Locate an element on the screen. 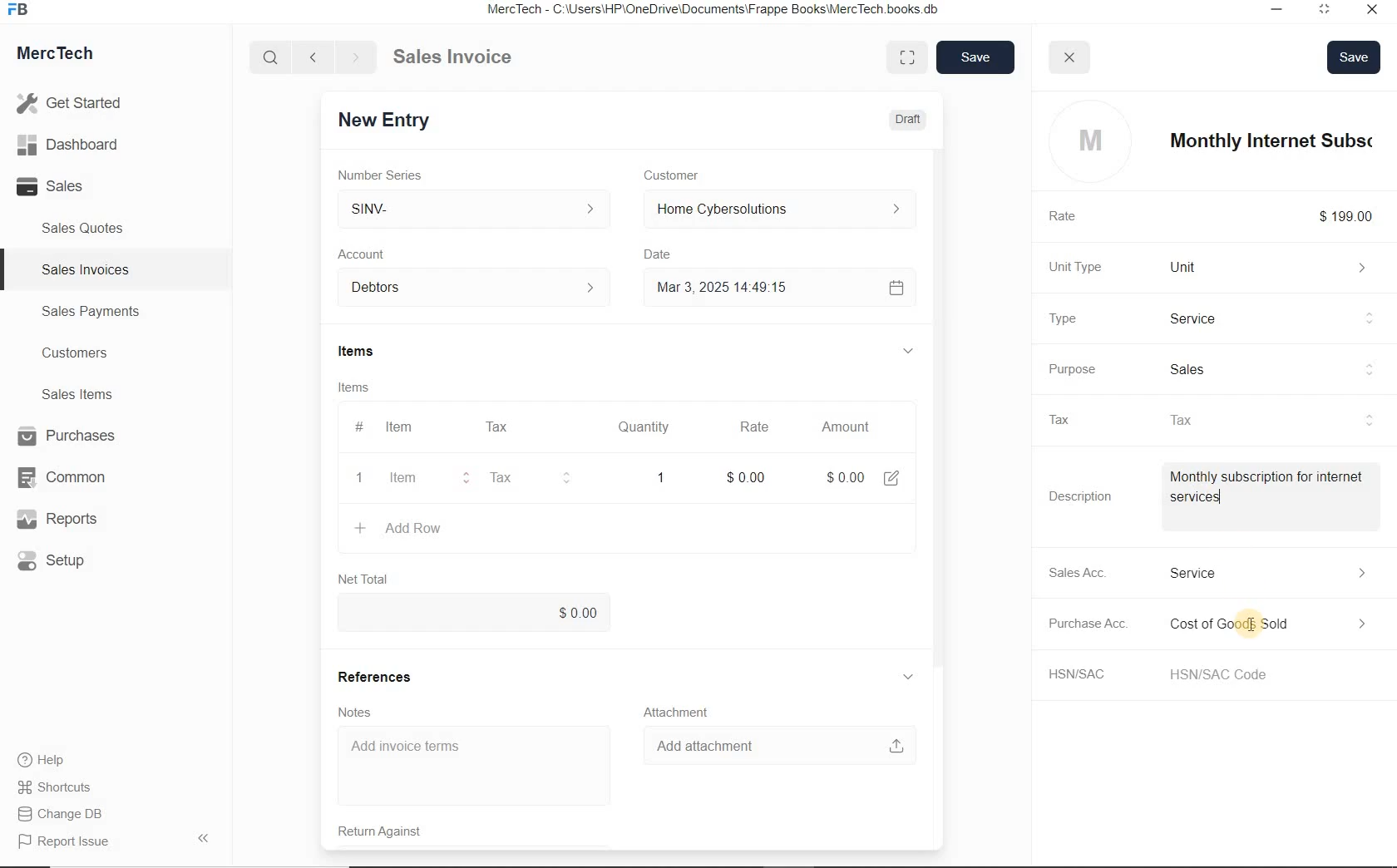 The height and width of the screenshot is (868, 1397). Minimize is located at coordinates (1261, 12).